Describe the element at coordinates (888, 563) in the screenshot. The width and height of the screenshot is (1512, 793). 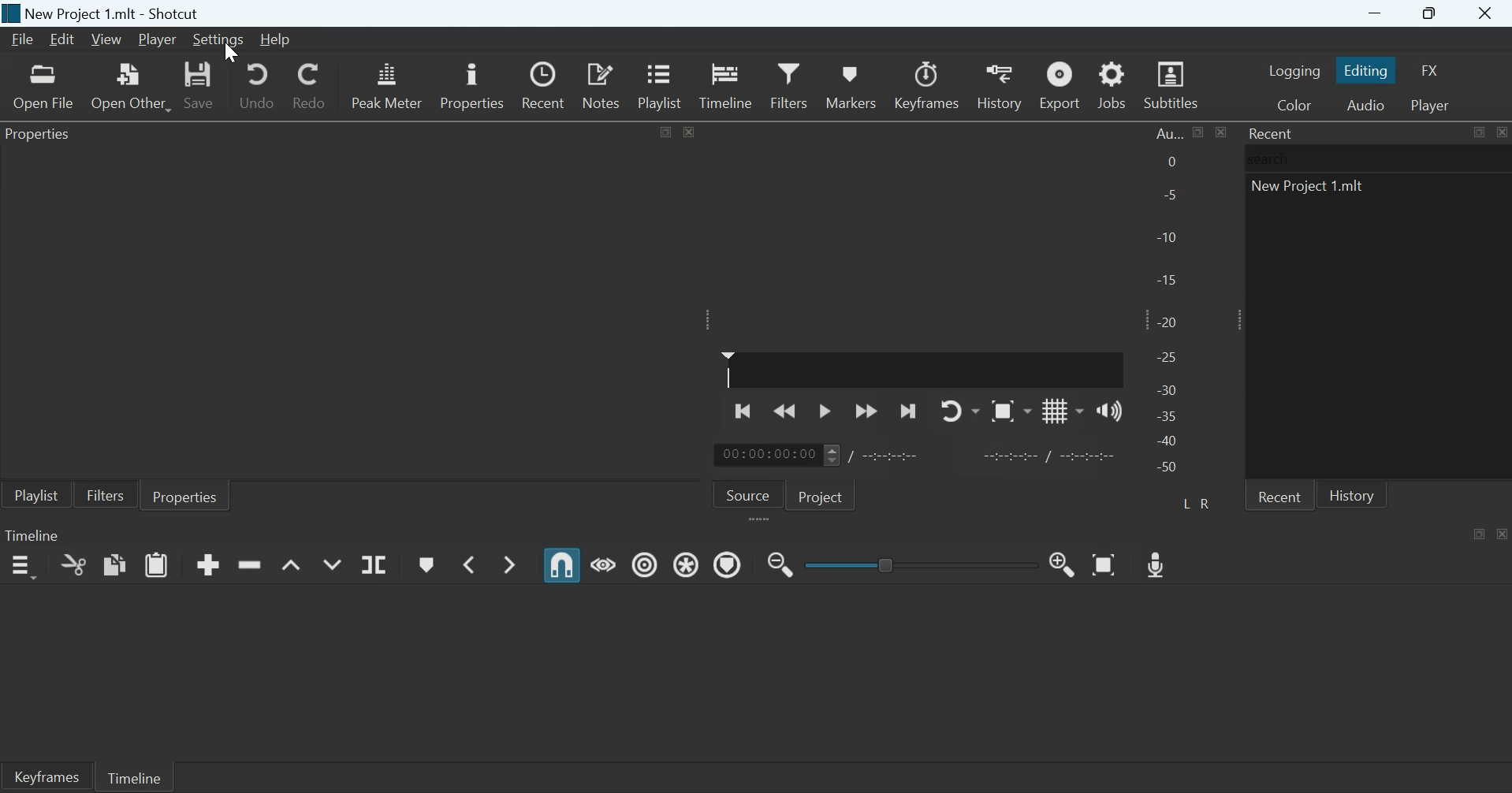
I see `Toggle` at that location.